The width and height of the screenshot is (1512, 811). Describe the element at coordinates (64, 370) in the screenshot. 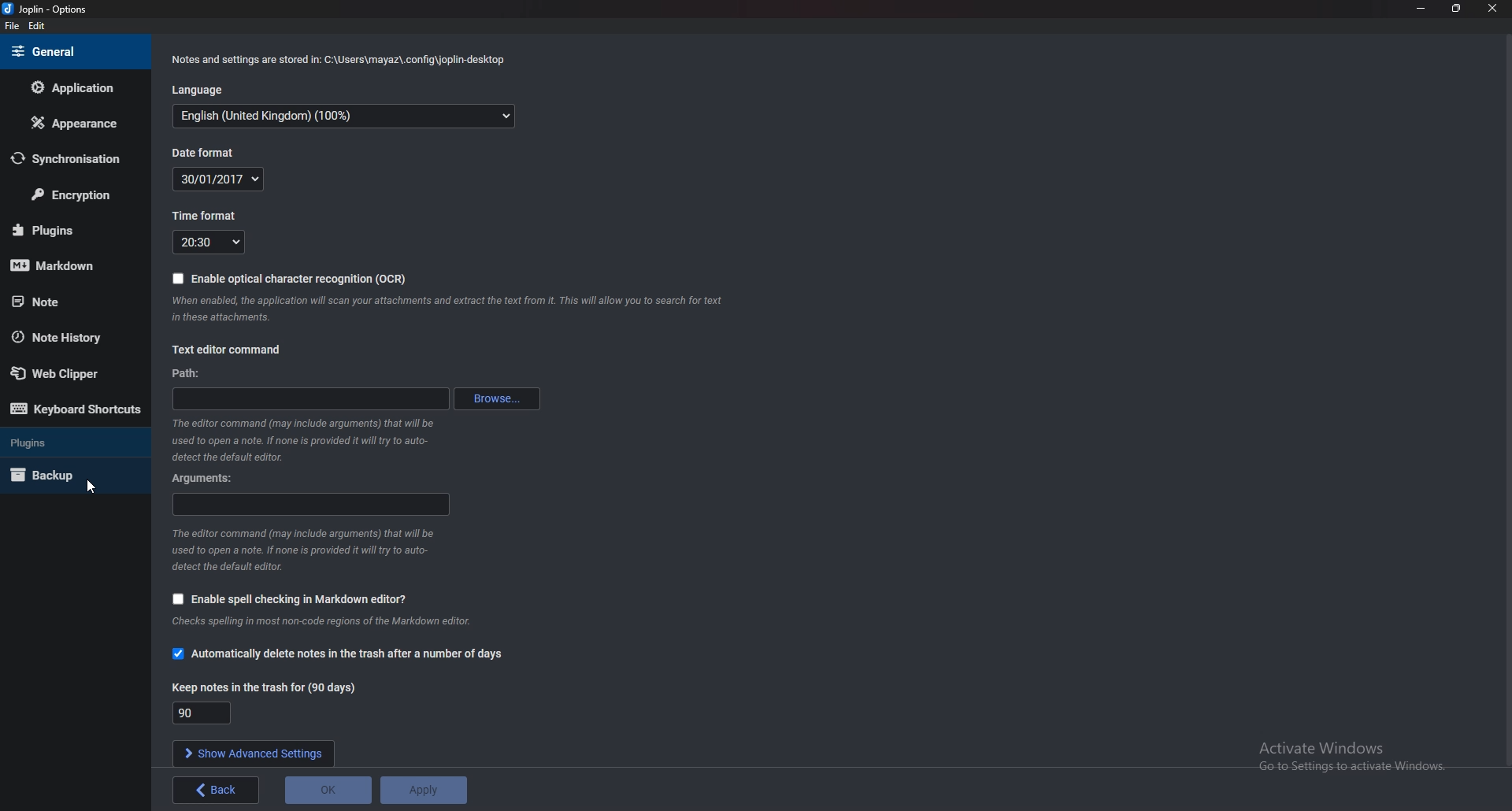

I see `Web Clipper` at that location.